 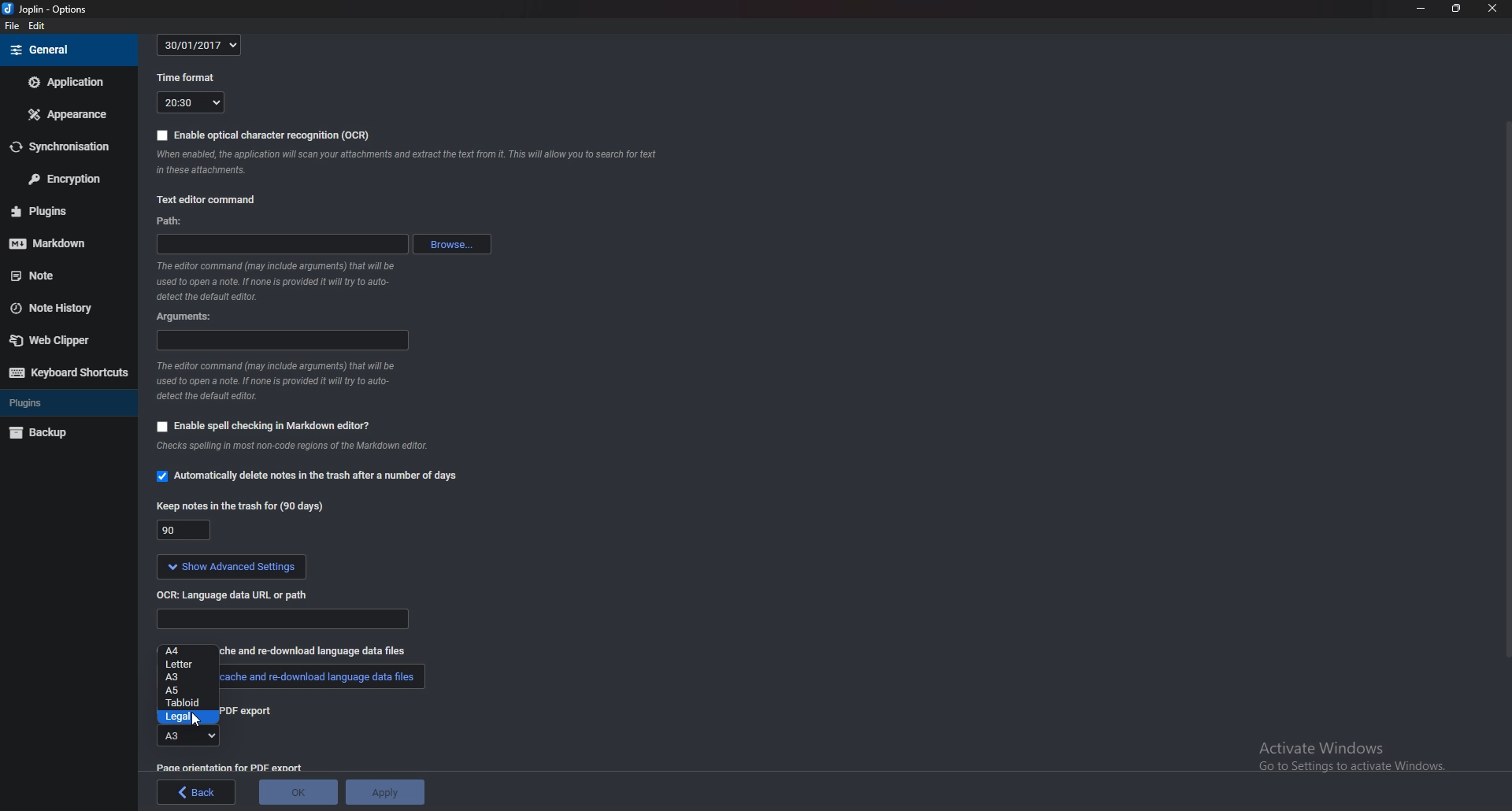 What do you see at coordinates (1421, 9) in the screenshot?
I see `Minimize` at bounding box center [1421, 9].